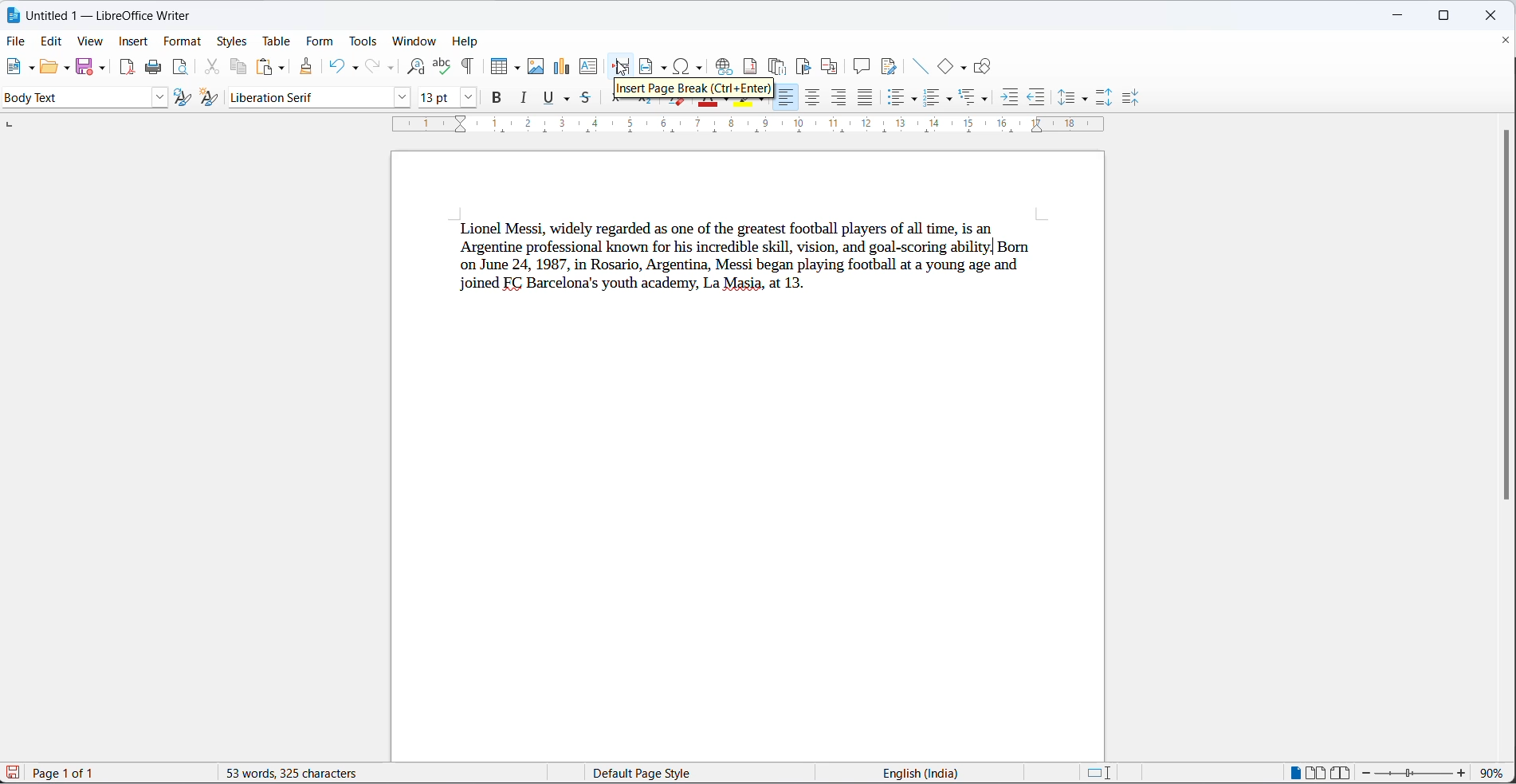 The image size is (1516, 784). Describe the element at coordinates (307, 67) in the screenshot. I see `clone formatting` at that location.